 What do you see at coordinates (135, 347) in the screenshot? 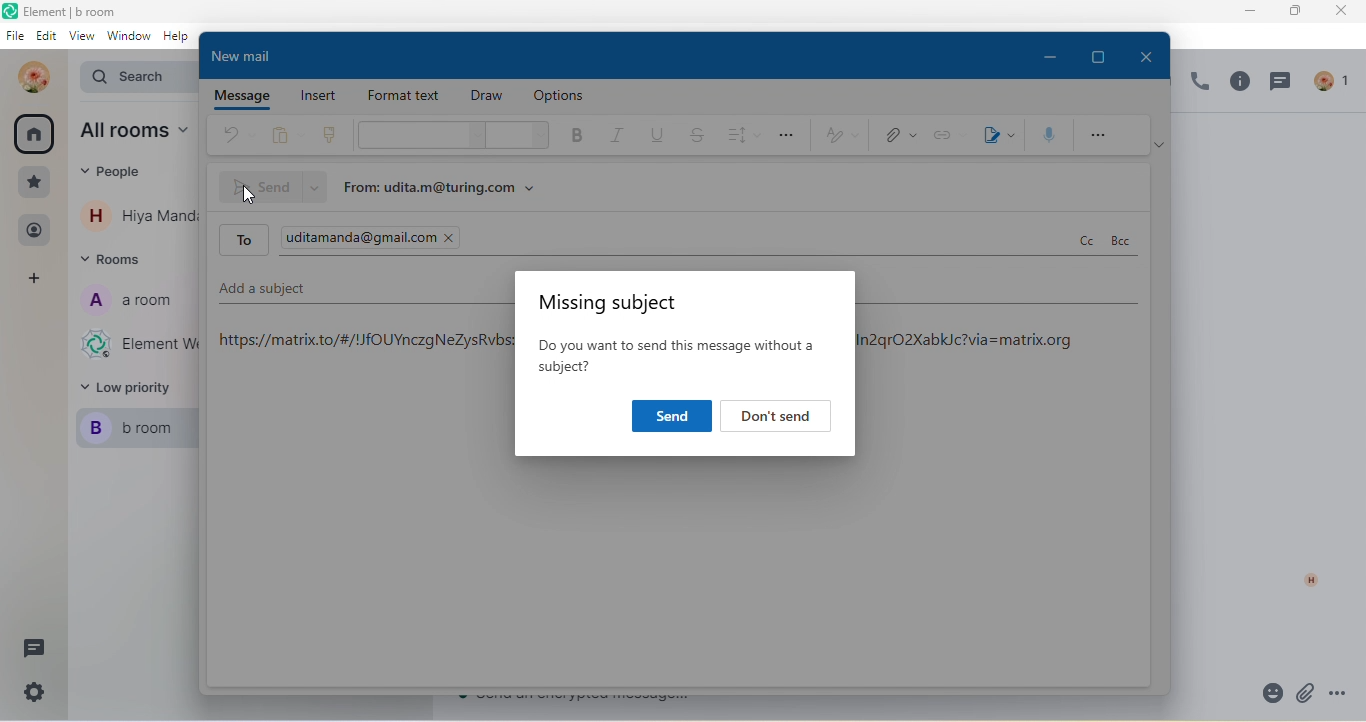
I see `Element web/desktop` at bounding box center [135, 347].